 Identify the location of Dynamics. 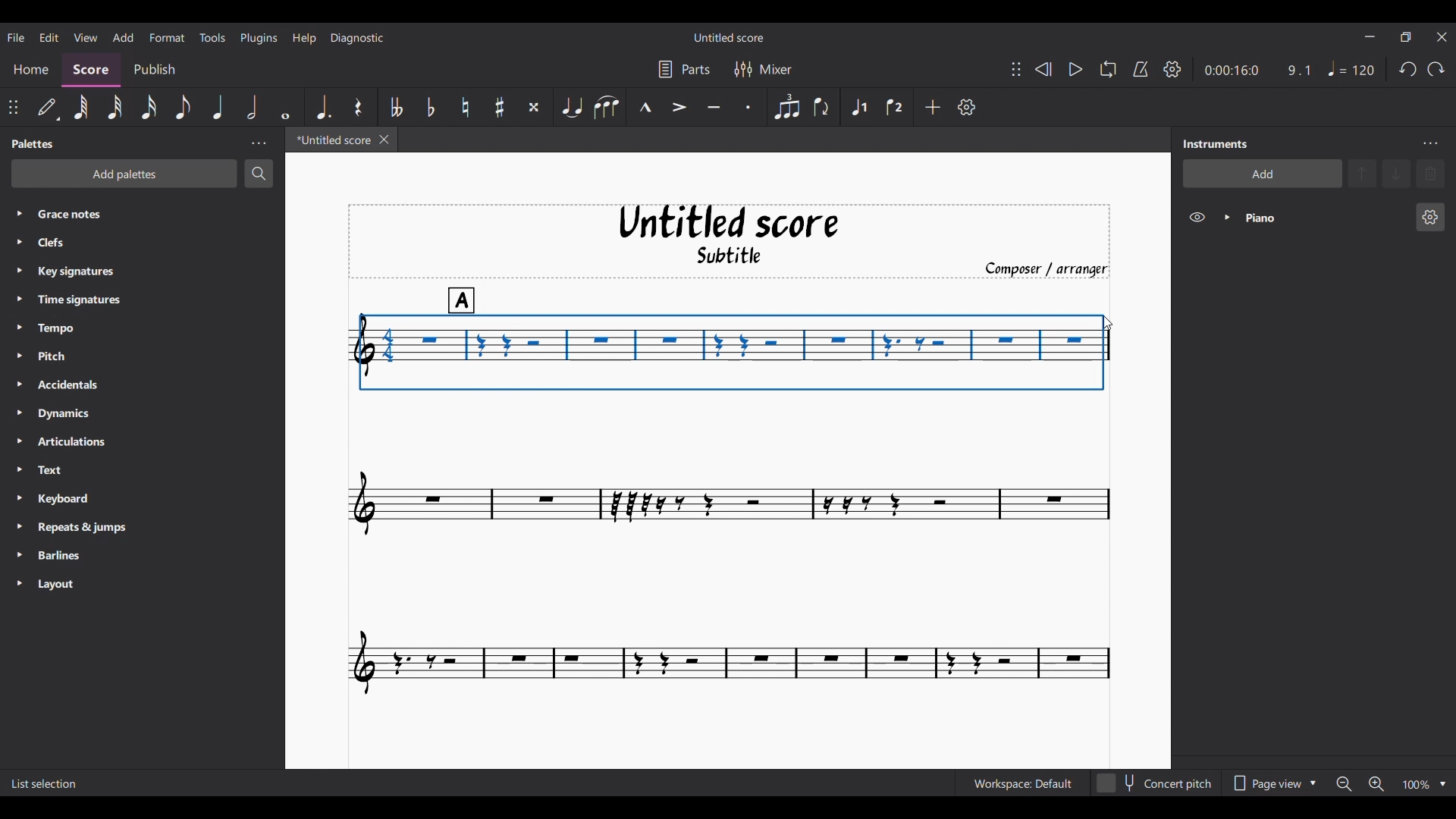
(90, 415).